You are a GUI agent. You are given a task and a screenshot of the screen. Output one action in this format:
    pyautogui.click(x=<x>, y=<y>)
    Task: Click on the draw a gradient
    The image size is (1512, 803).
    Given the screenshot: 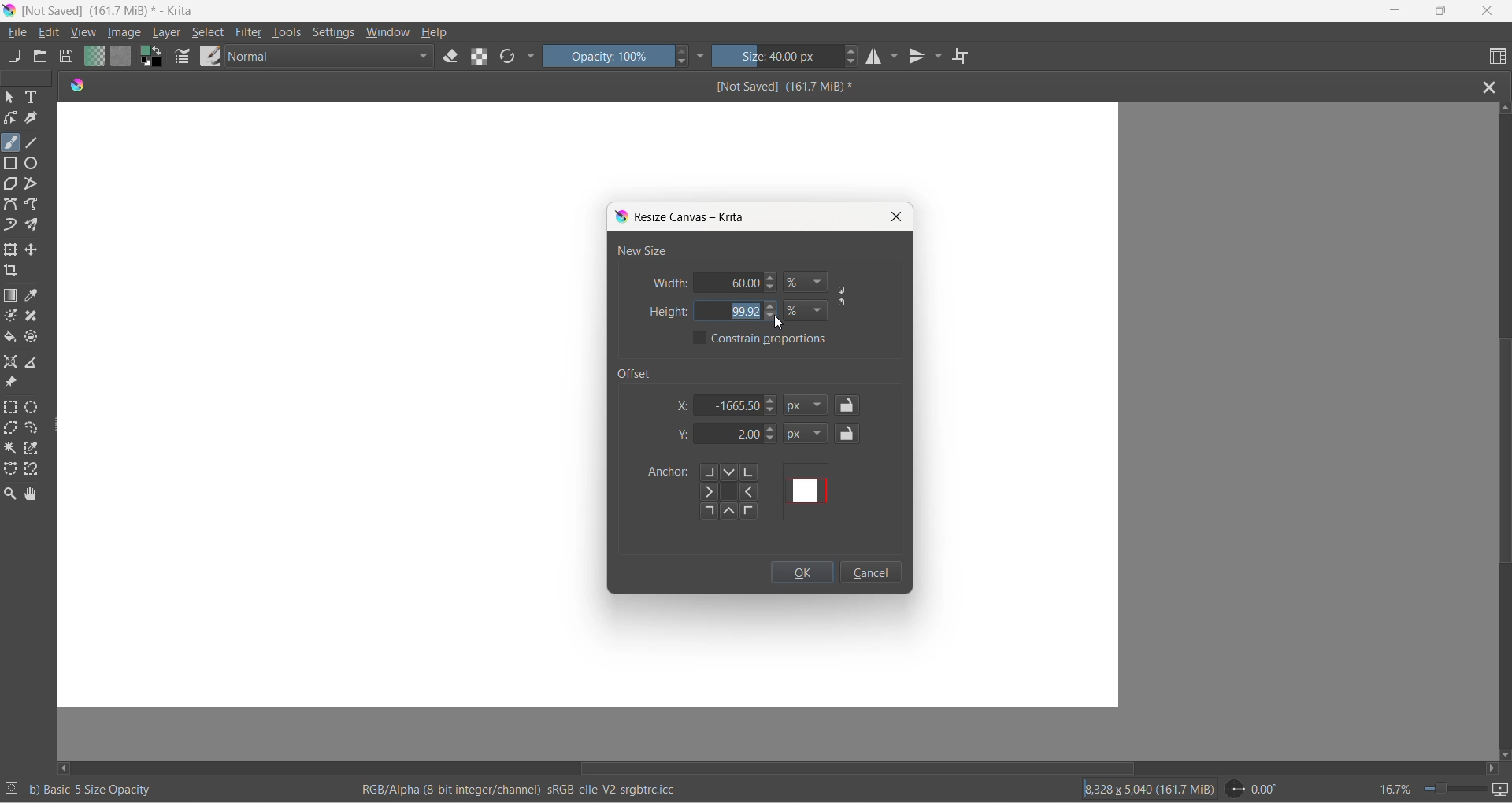 What is the action you would take?
    pyautogui.click(x=13, y=297)
    